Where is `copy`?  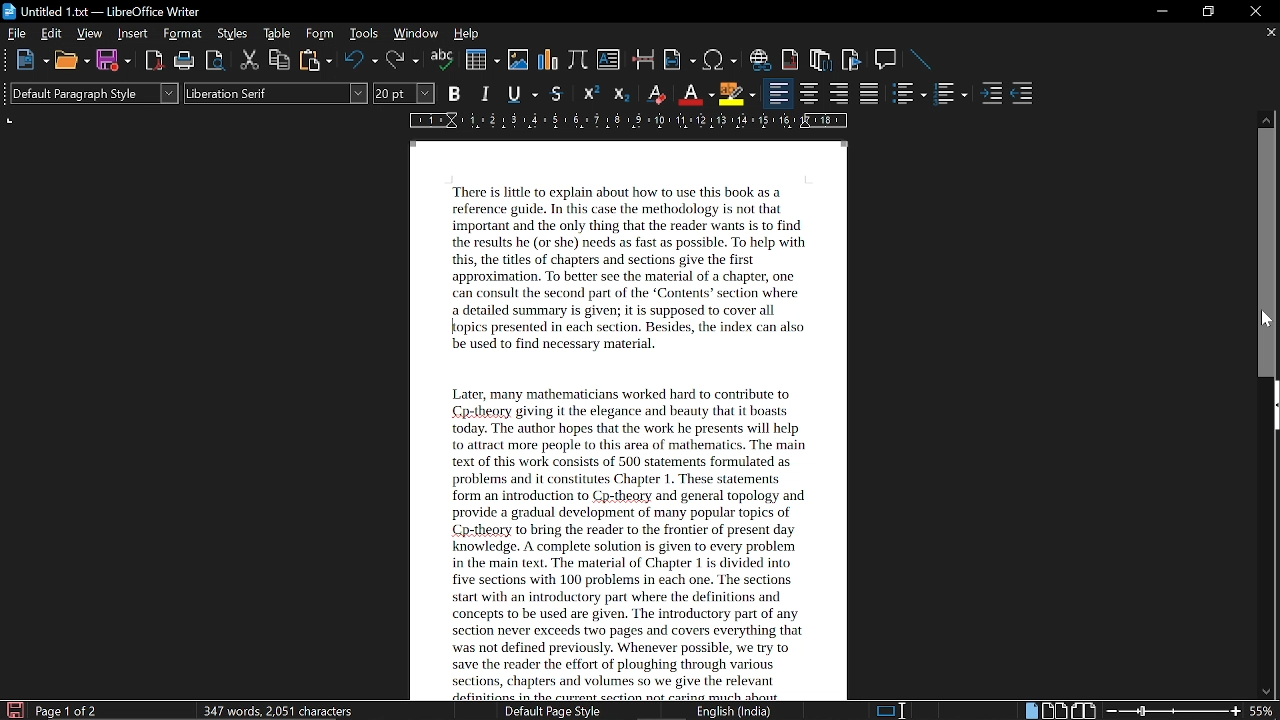
copy is located at coordinates (280, 61).